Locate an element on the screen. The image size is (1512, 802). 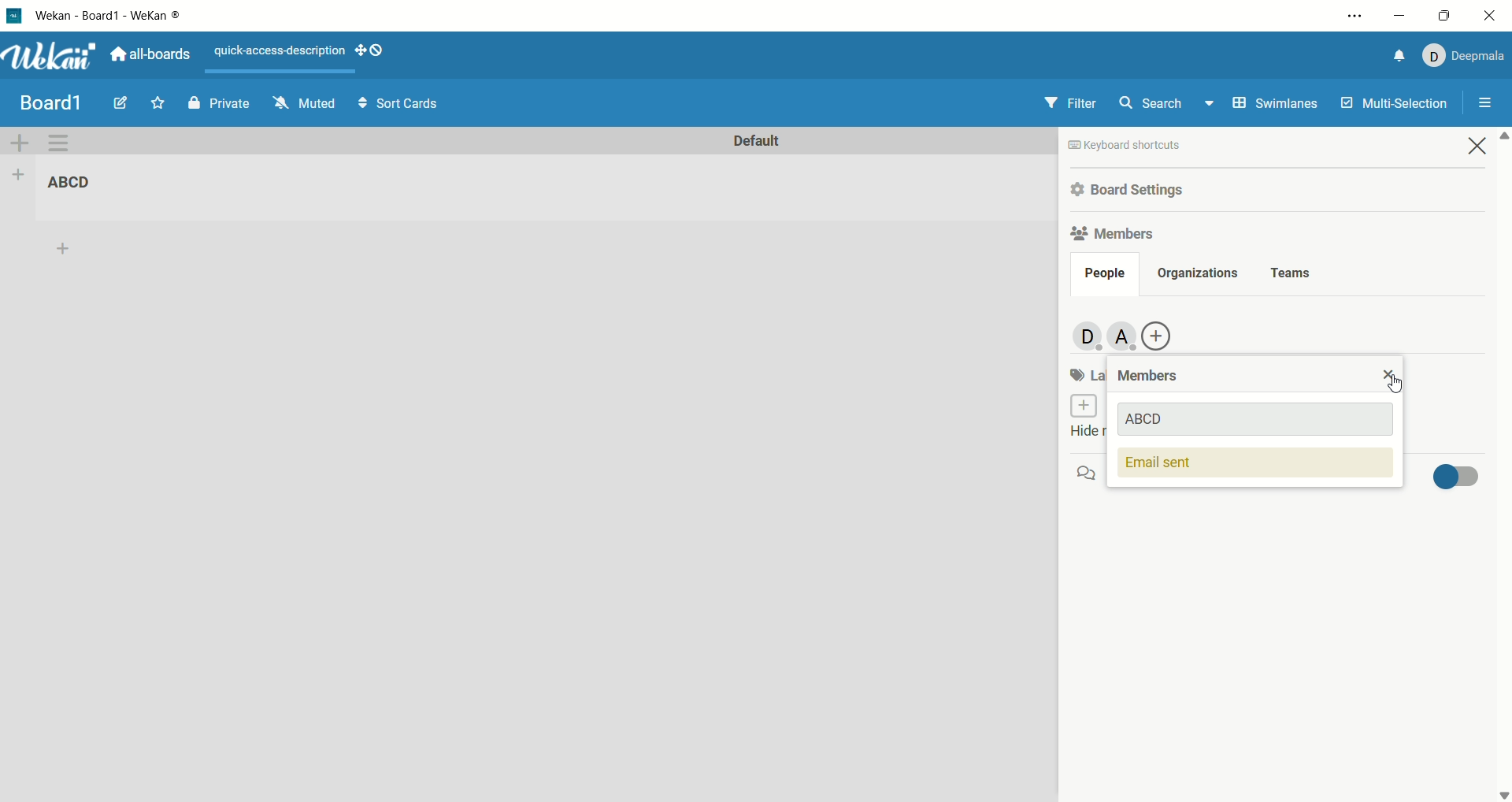
private is located at coordinates (221, 104).